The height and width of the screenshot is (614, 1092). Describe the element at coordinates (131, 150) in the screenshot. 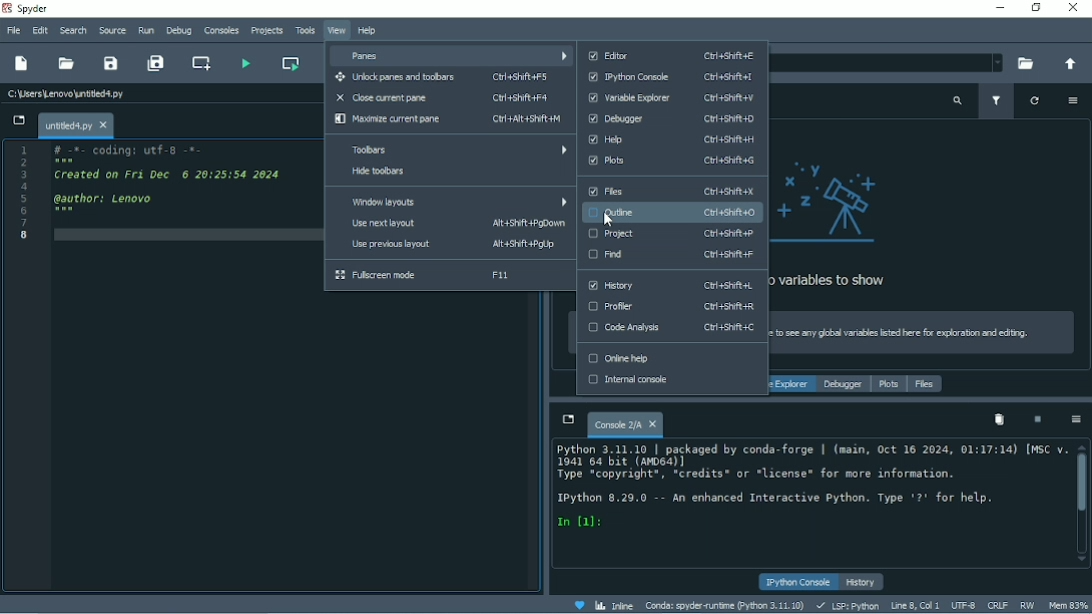

I see `Coding` at that location.